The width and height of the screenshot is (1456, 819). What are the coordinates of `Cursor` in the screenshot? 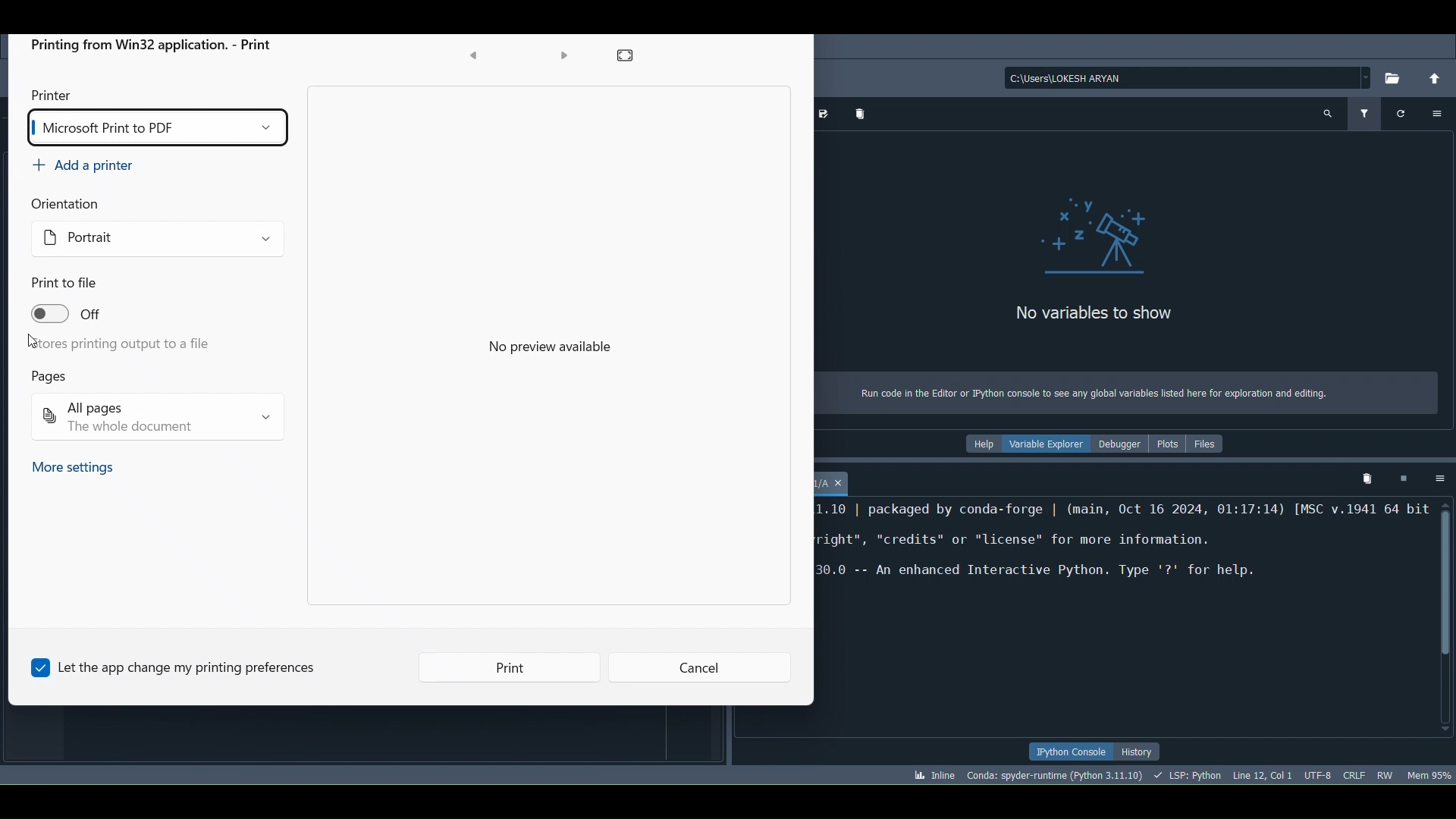 It's located at (1264, 777).